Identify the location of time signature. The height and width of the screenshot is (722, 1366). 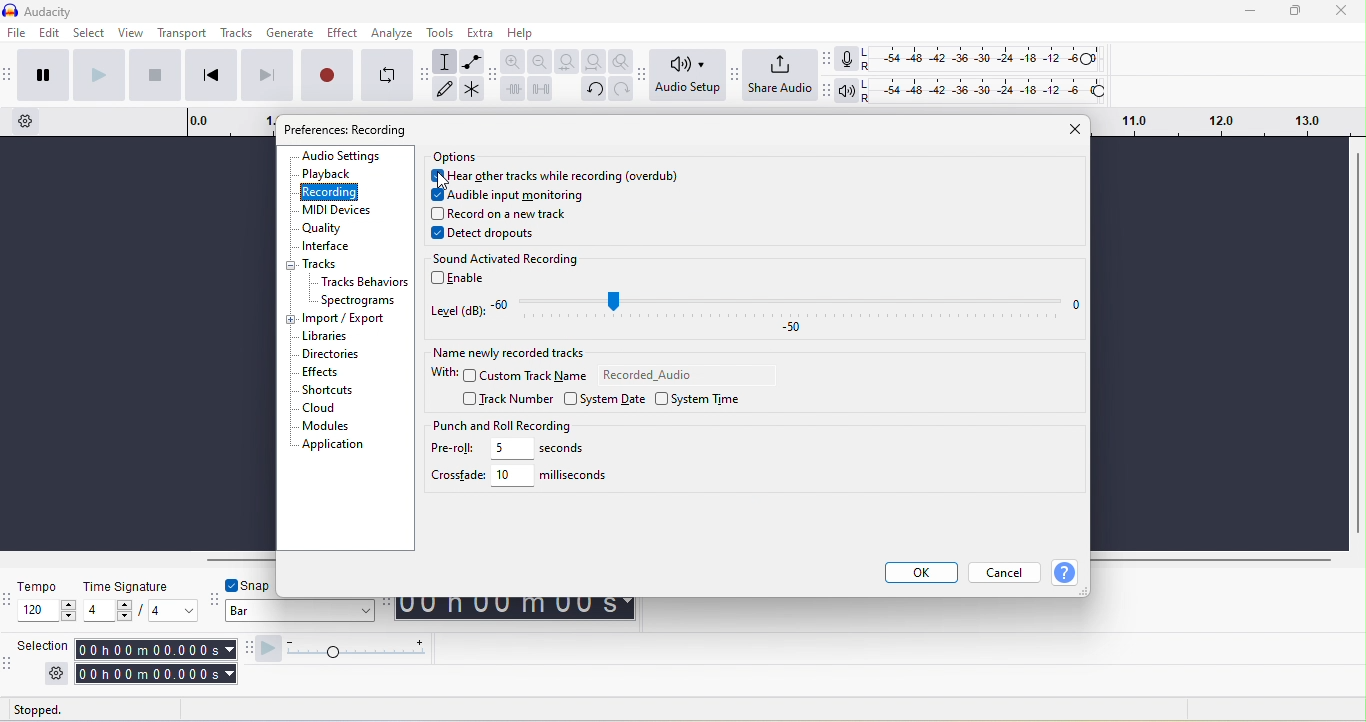
(139, 600).